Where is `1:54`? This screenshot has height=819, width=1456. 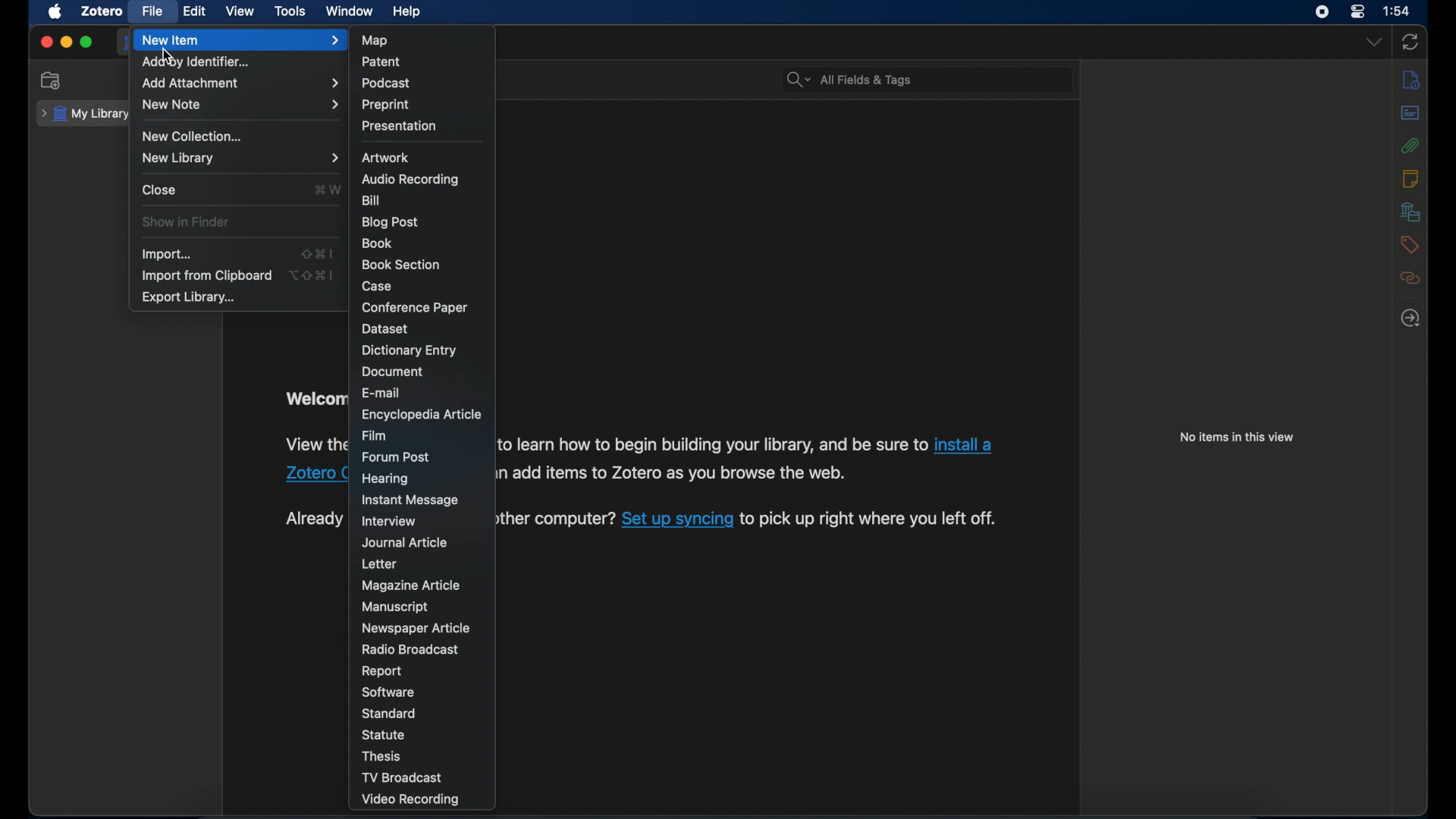
1:54 is located at coordinates (1398, 12).